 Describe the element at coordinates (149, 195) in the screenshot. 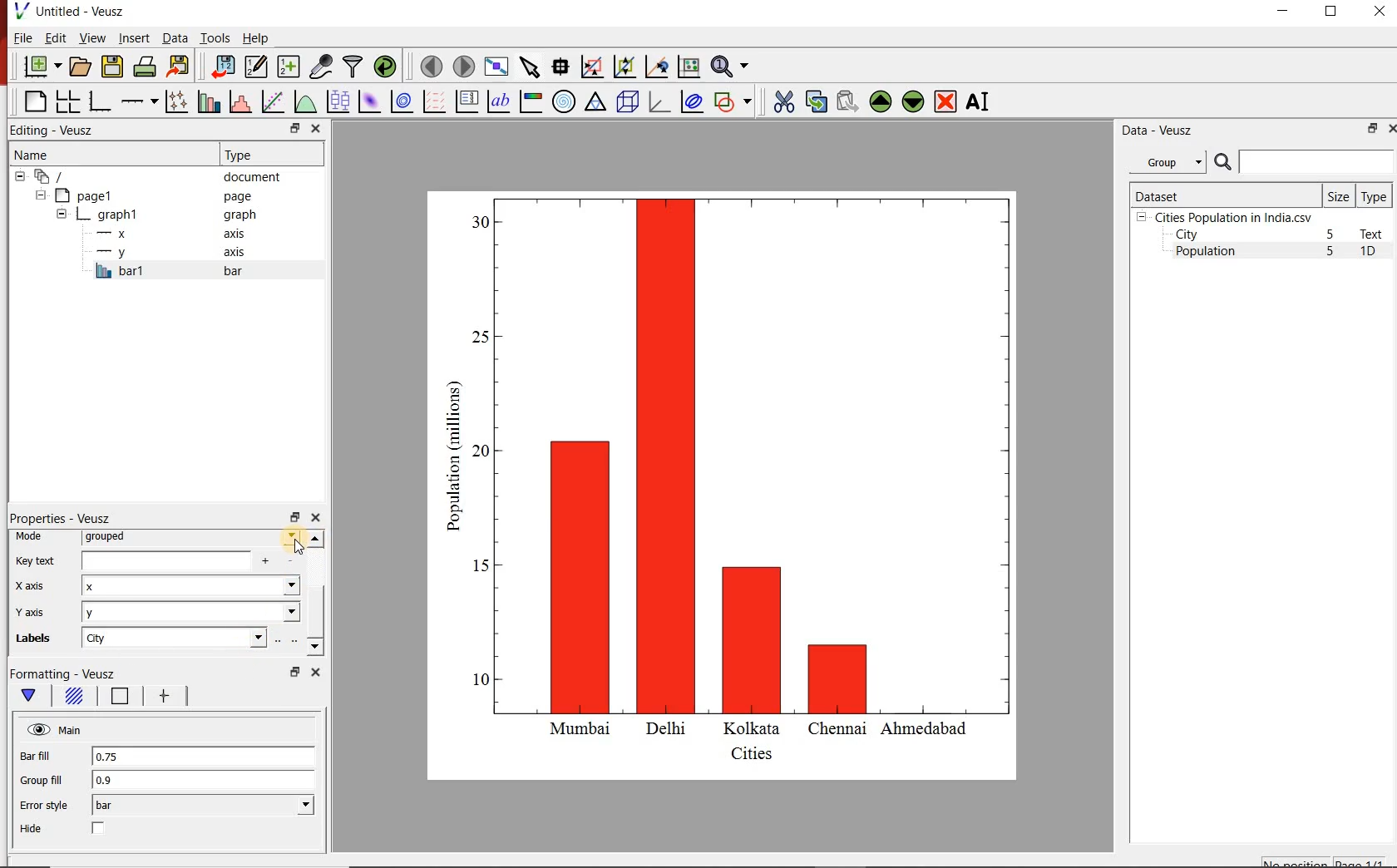

I see `page1` at that location.